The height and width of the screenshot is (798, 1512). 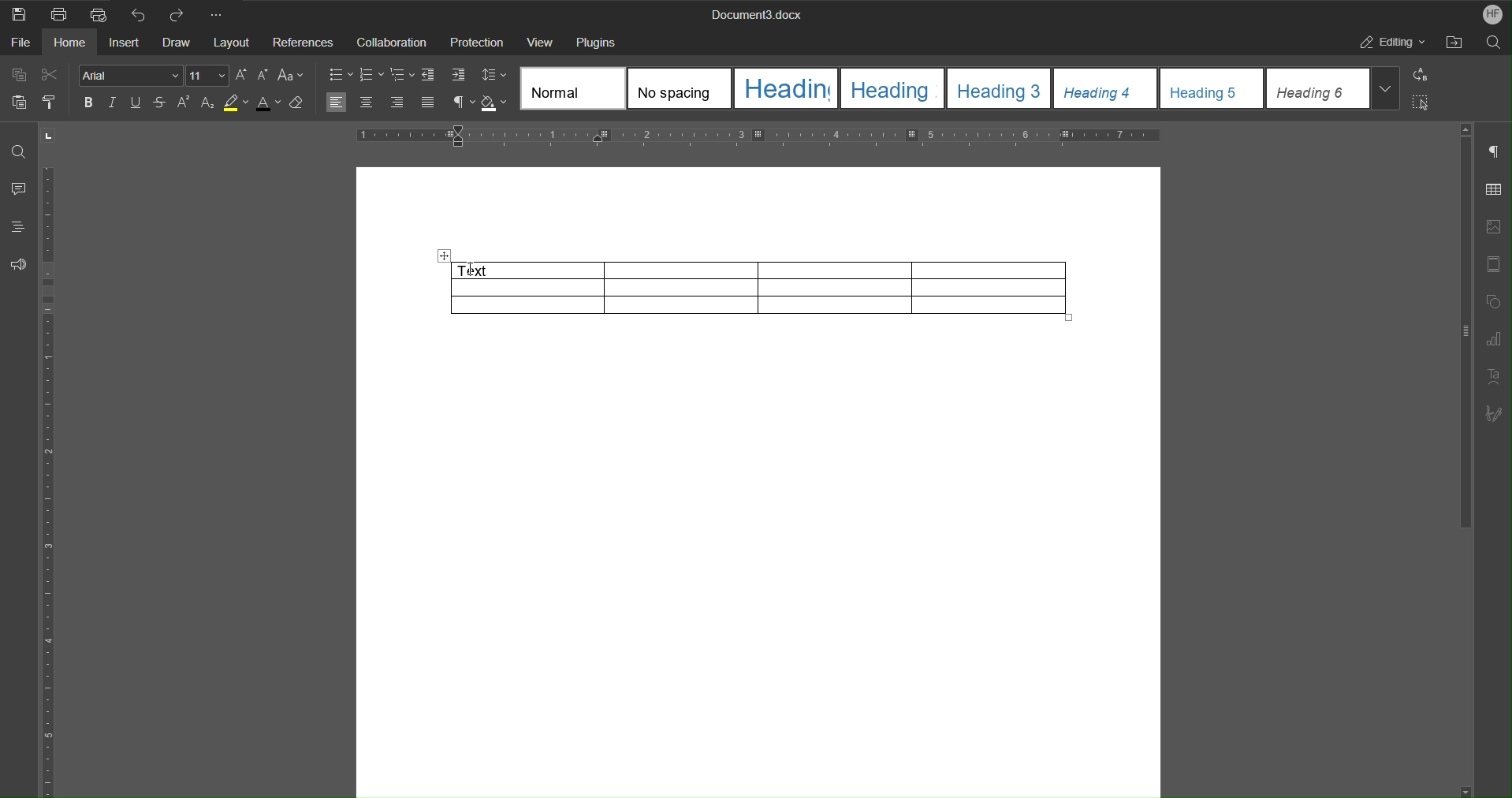 What do you see at coordinates (572, 88) in the screenshot?
I see `Normal` at bounding box center [572, 88].